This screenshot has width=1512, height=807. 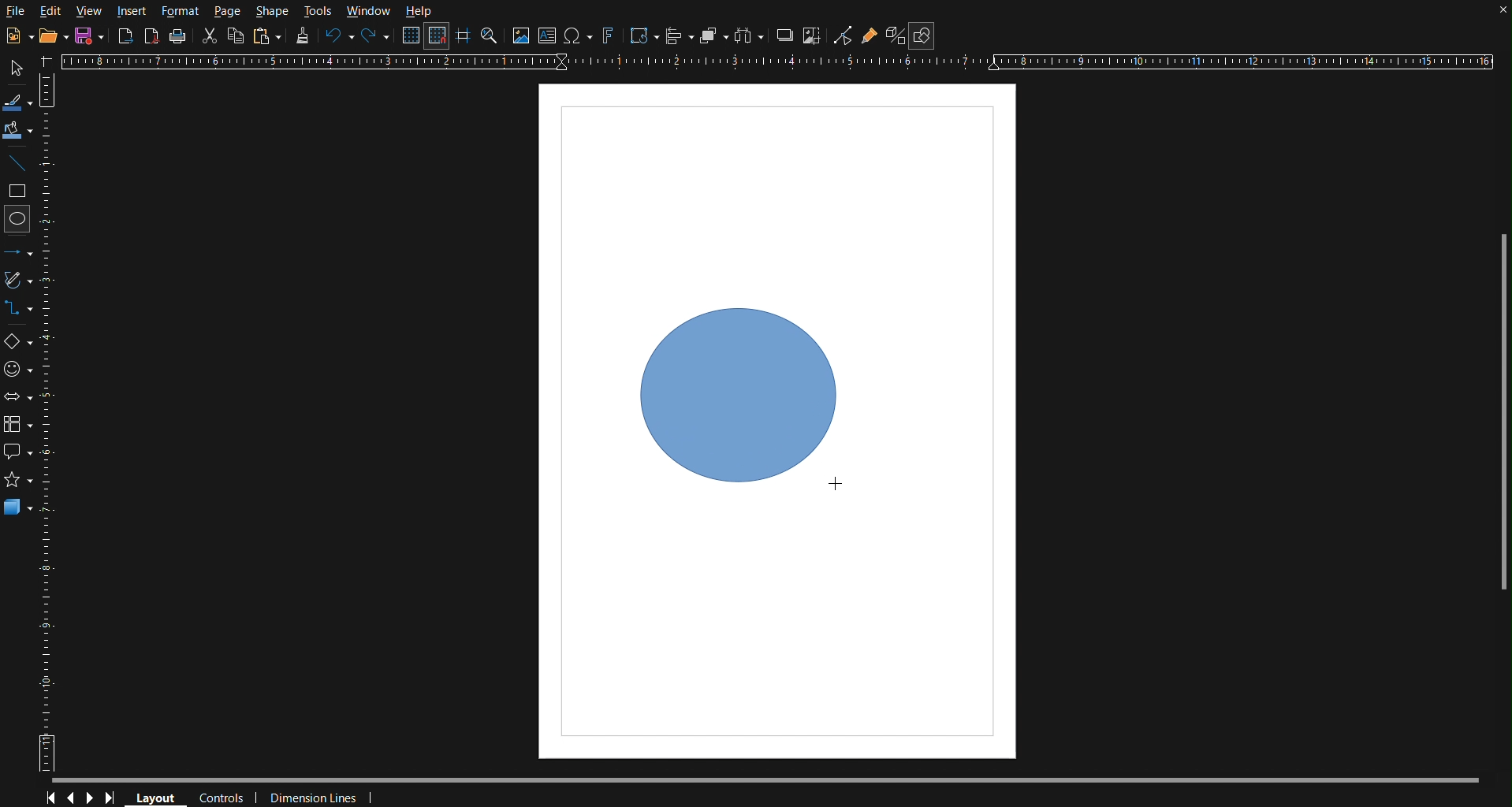 What do you see at coordinates (180, 35) in the screenshot?
I see `Print` at bounding box center [180, 35].